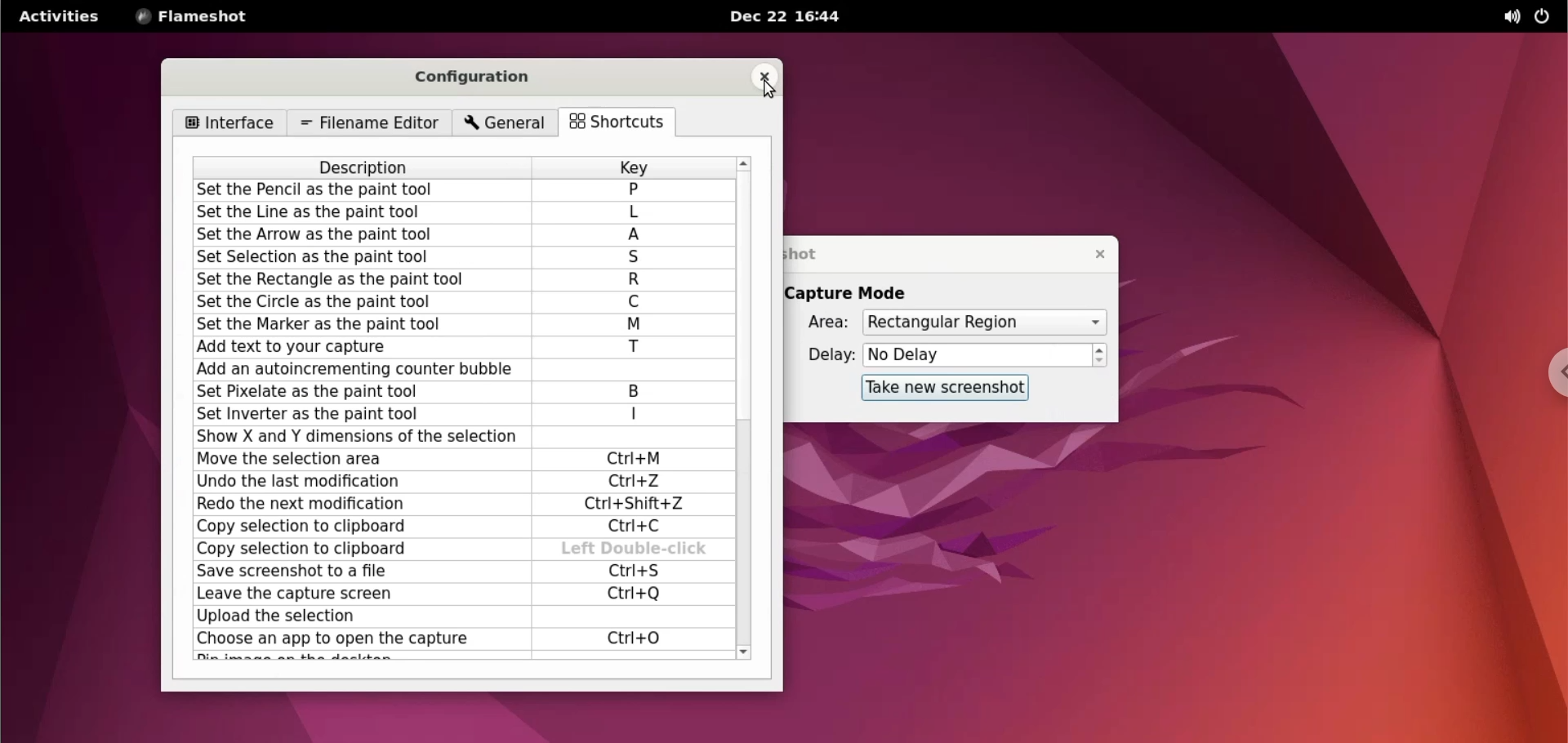 Image resolution: width=1568 pixels, height=743 pixels. What do you see at coordinates (229, 123) in the screenshot?
I see `interface ` at bounding box center [229, 123].